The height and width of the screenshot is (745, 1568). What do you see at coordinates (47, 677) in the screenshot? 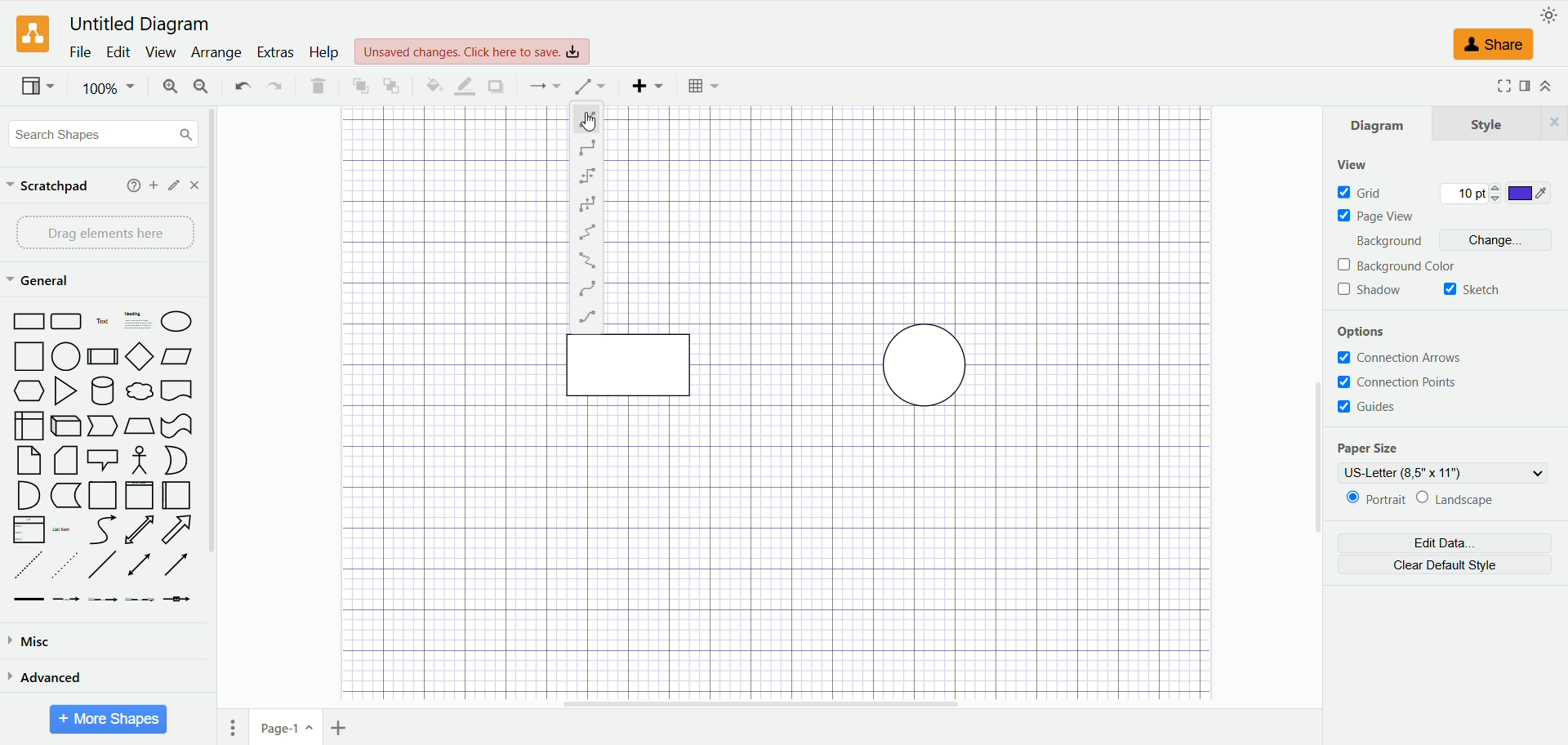
I see `advanced` at bounding box center [47, 677].